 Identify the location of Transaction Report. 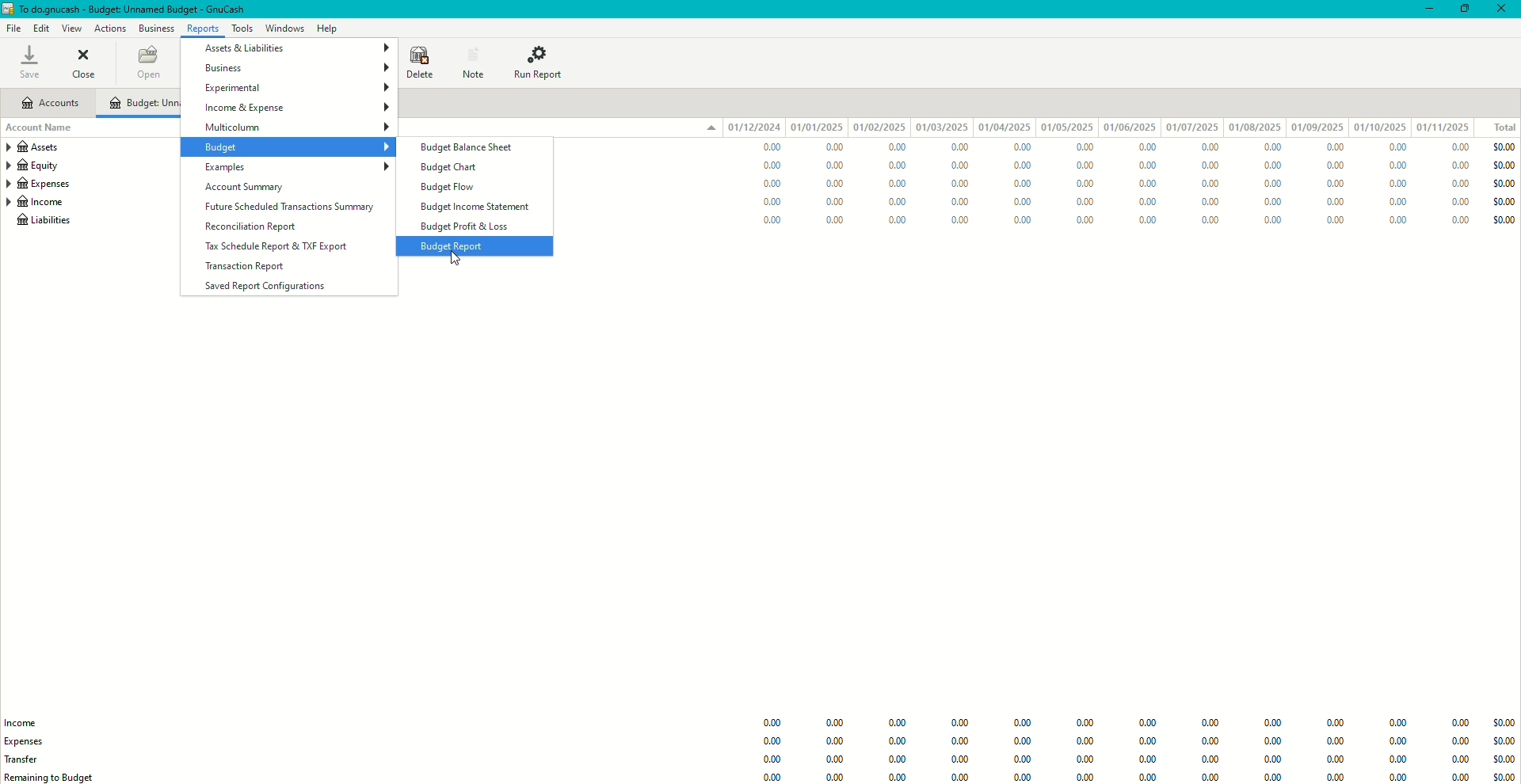
(247, 266).